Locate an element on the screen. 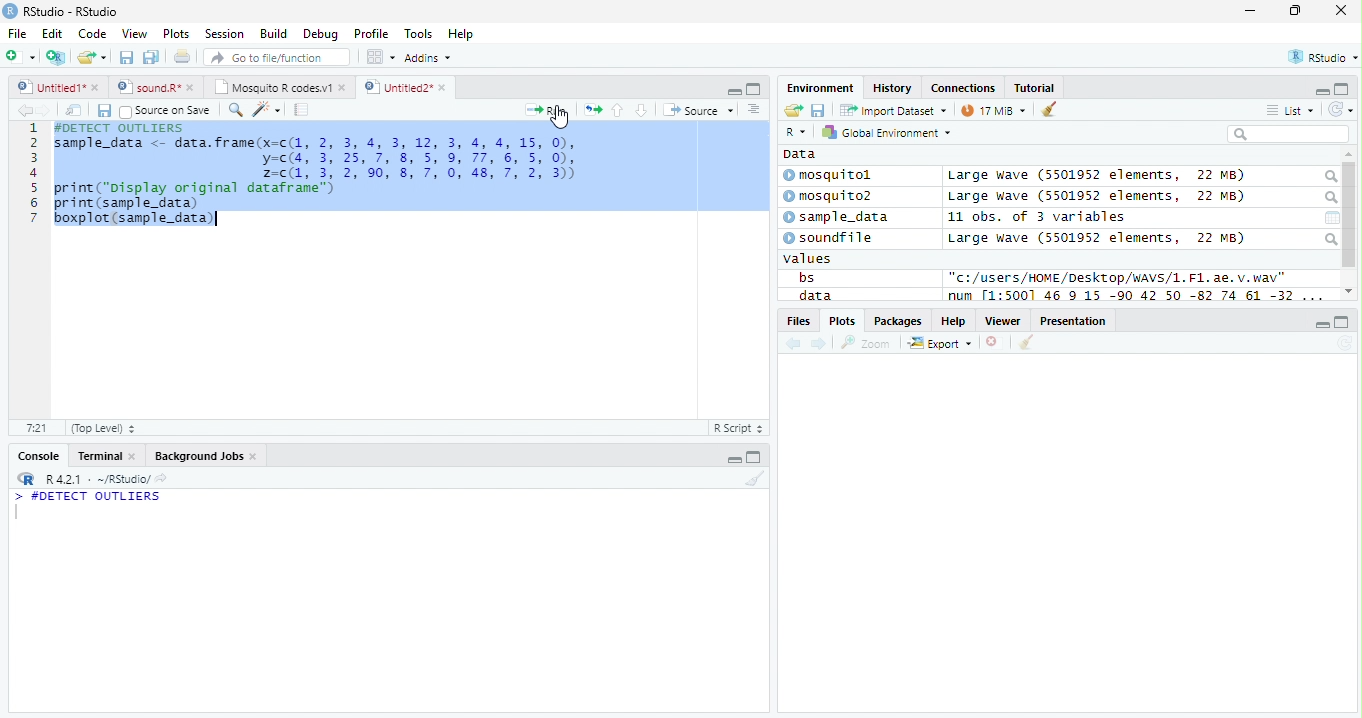 Image resolution: width=1362 pixels, height=718 pixels. values is located at coordinates (808, 259).